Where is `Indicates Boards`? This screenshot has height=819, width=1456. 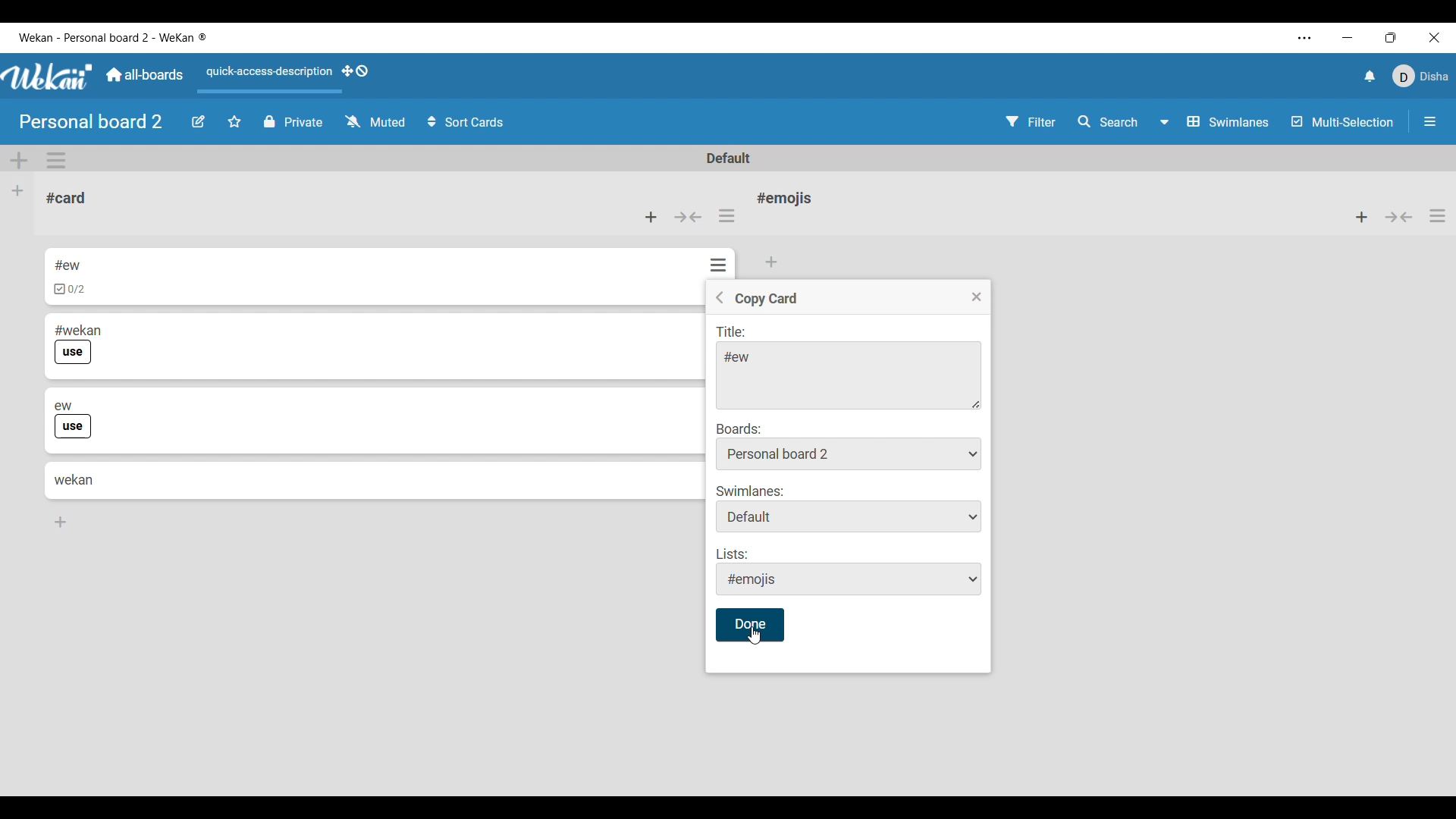
Indicates Boards is located at coordinates (739, 428).